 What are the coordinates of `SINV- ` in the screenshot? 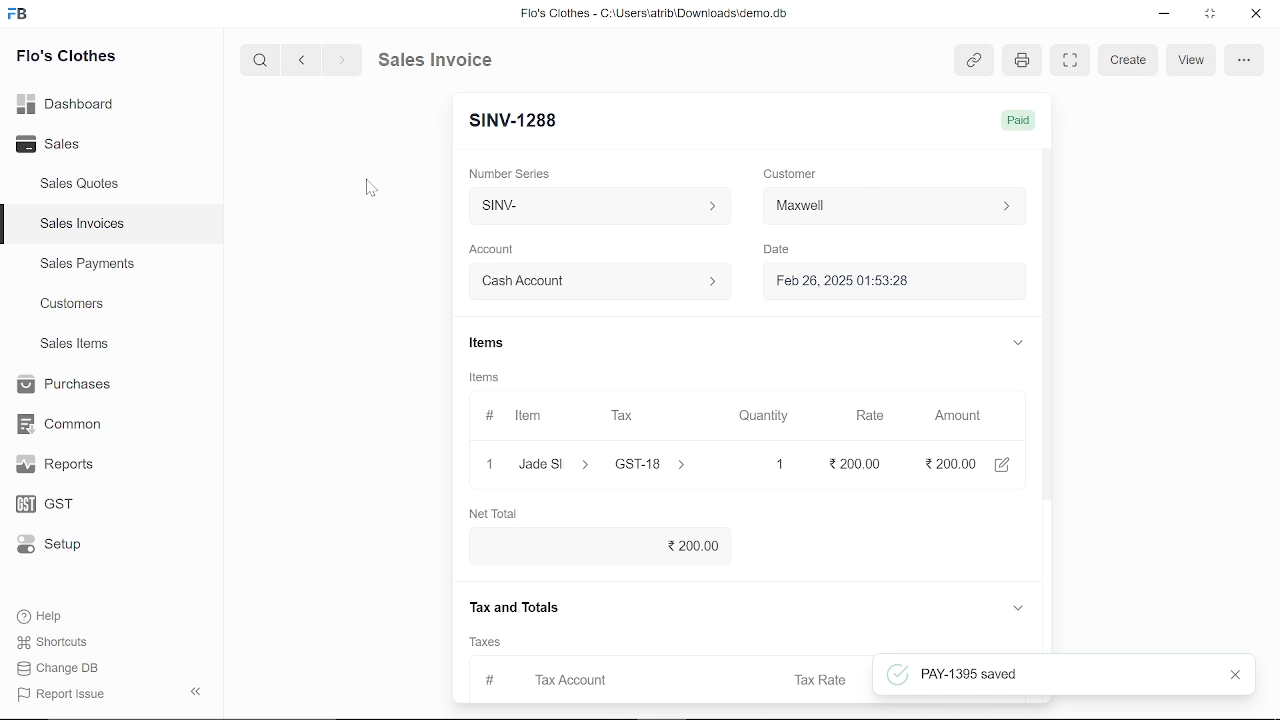 It's located at (595, 206).